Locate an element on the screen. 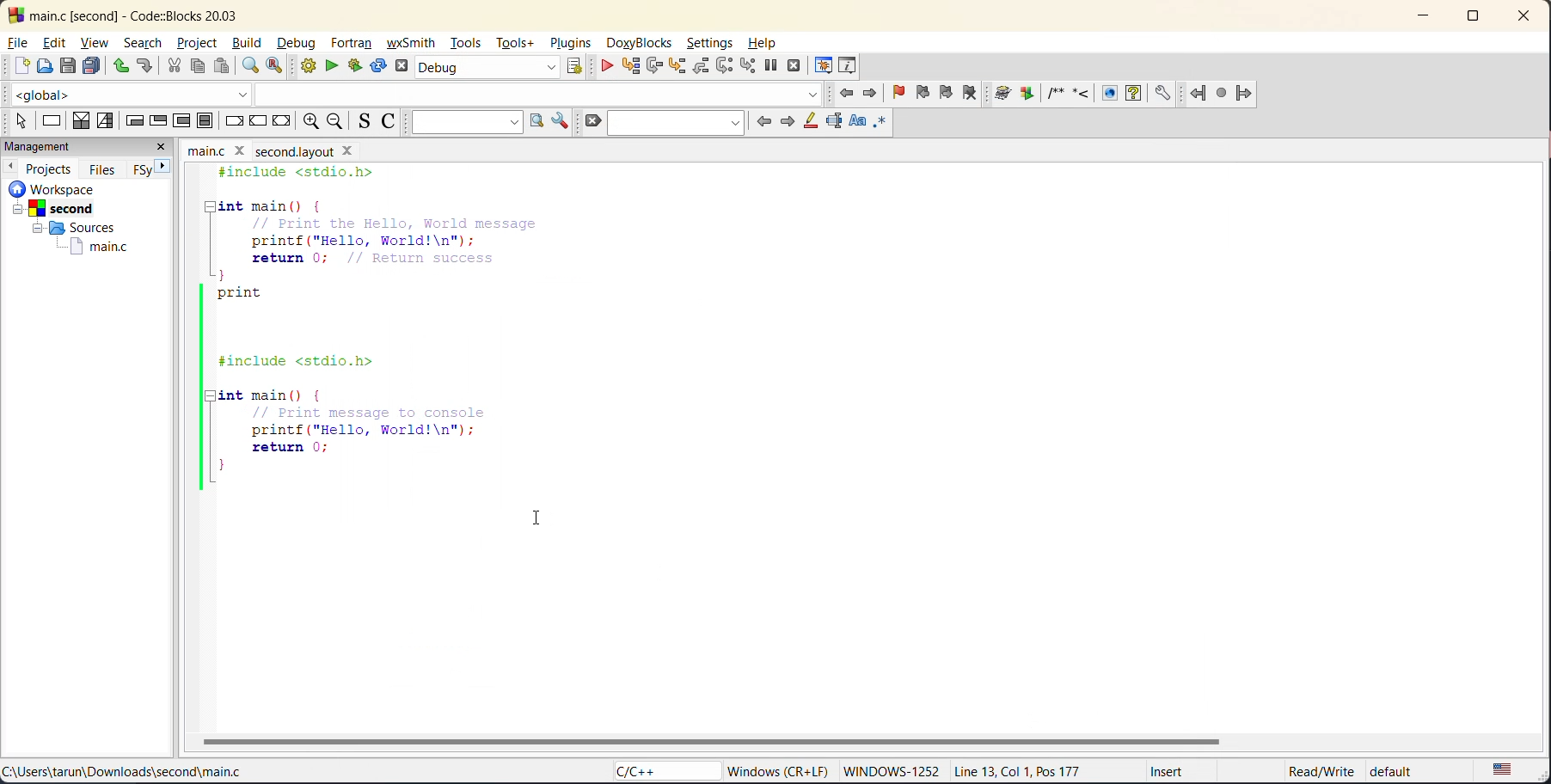  debug is located at coordinates (297, 44).